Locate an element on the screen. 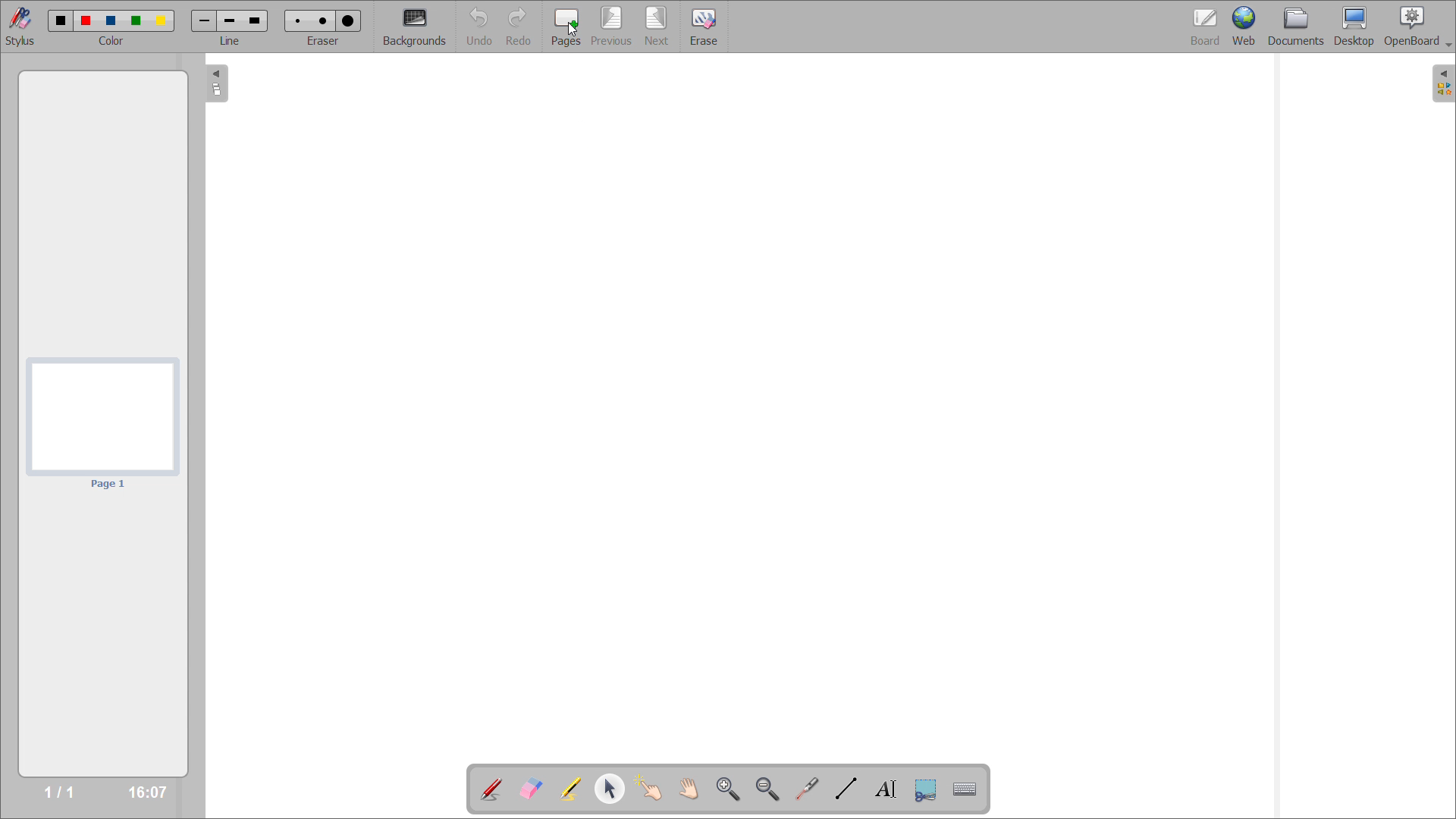 The height and width of the screenshot is (819, 1456). openboard preferences is located at coordinates (1418, 27).